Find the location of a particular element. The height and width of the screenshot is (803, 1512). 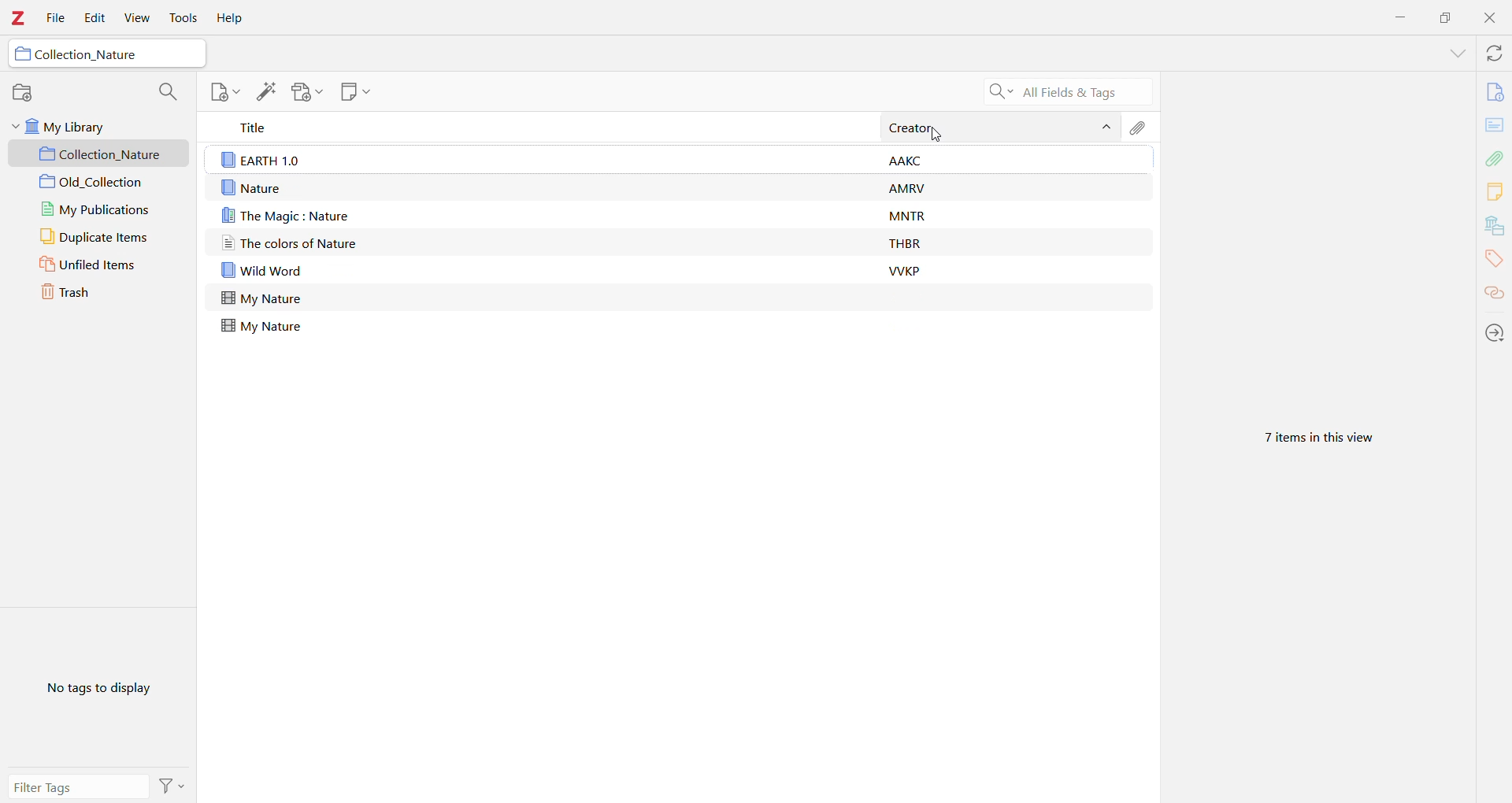

File is located at coordinates (56, 18).